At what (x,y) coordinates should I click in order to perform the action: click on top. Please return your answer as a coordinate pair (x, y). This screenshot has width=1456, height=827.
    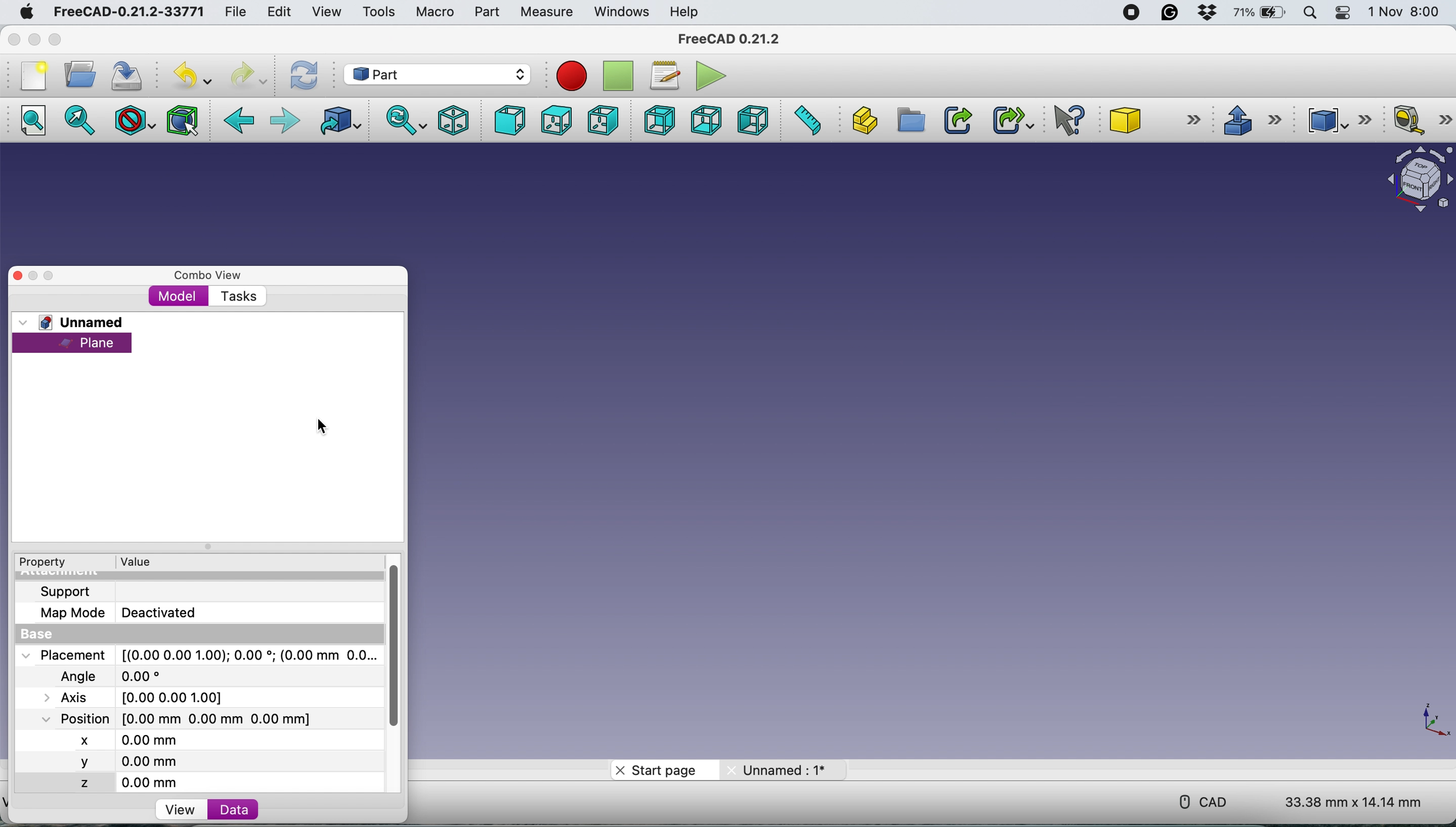
    Looking at the image, I should click on (555, 121).